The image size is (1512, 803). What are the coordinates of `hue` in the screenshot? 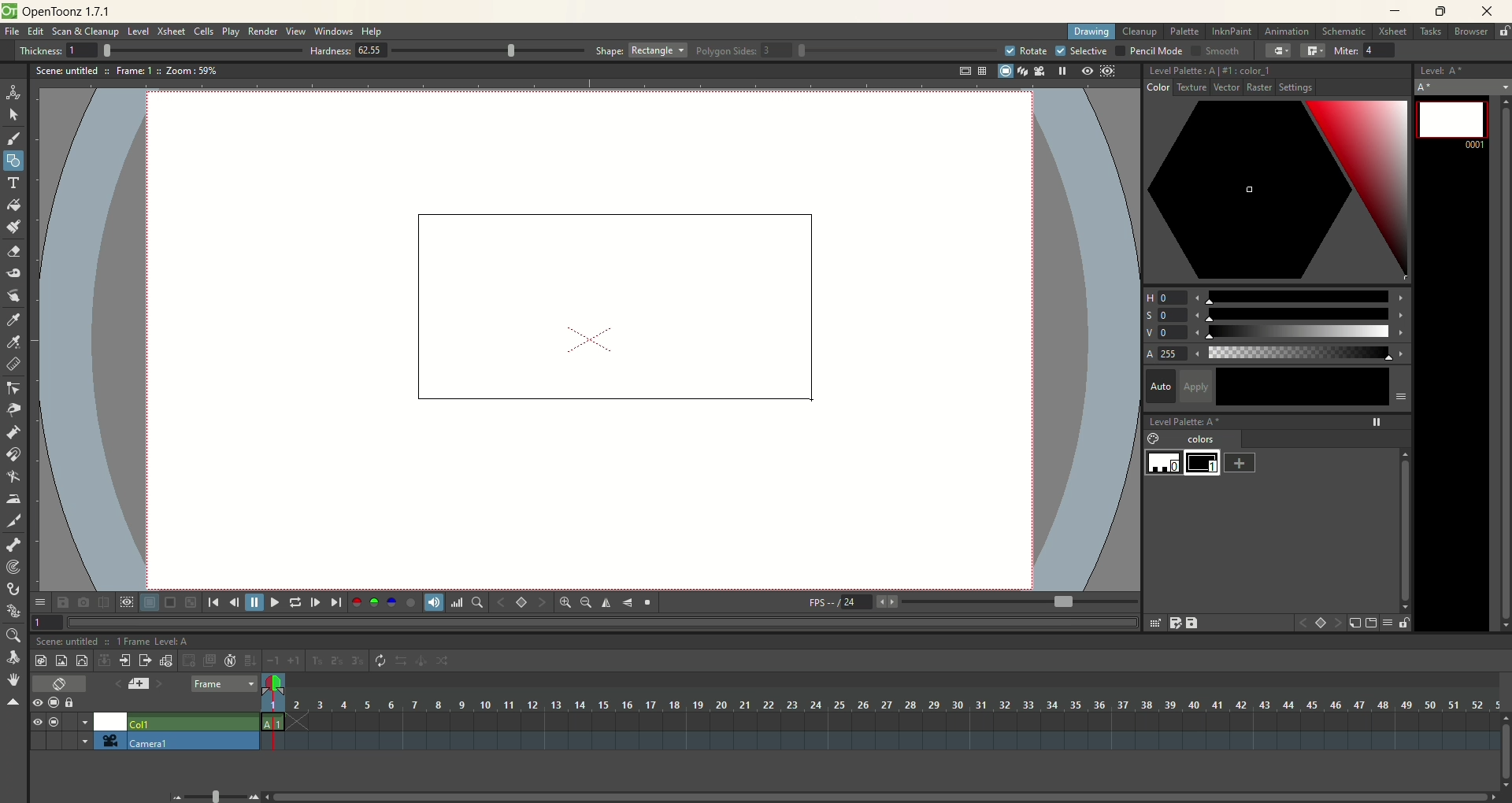 It's located at (1277, 294).